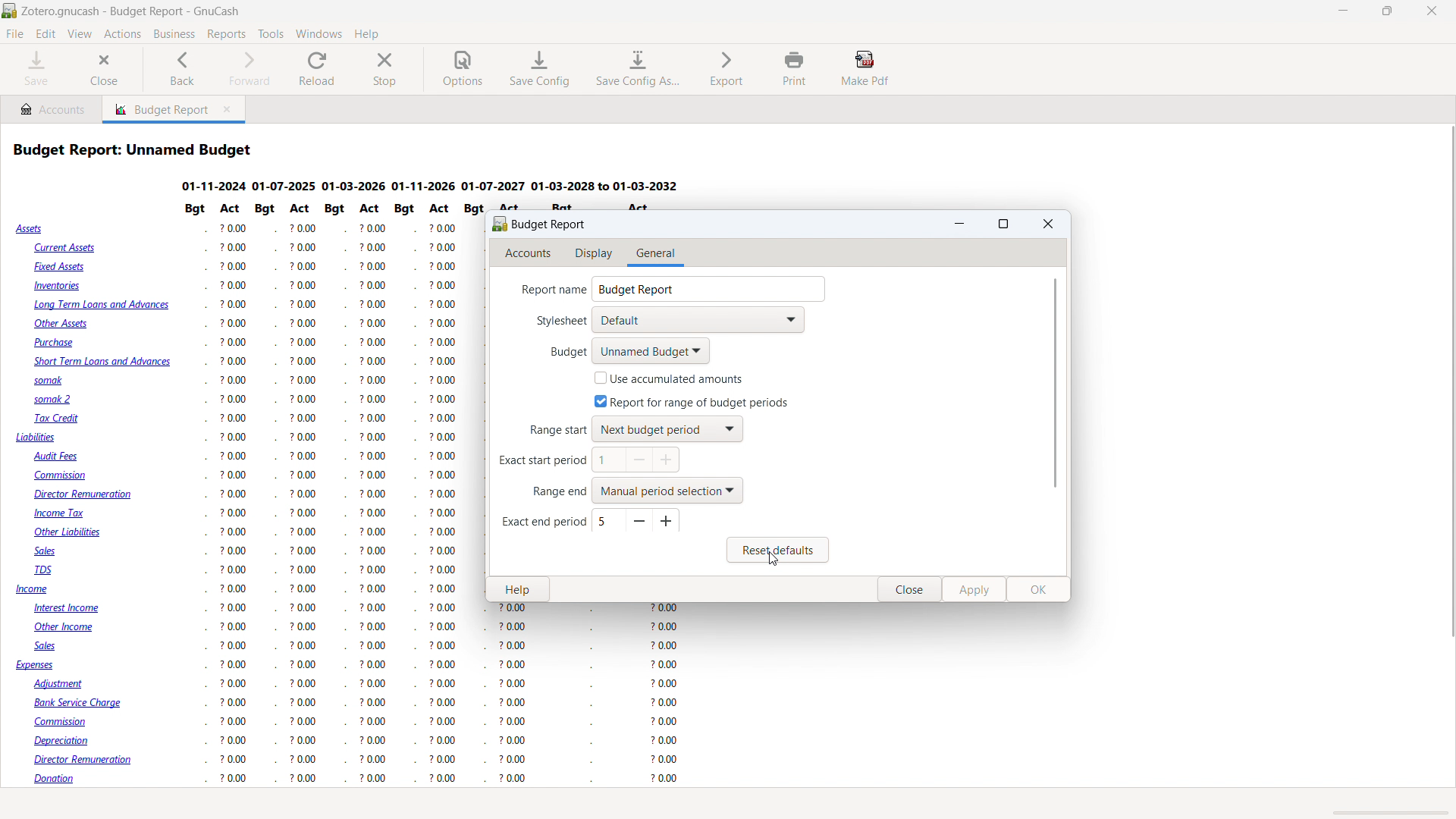 The width and height of the screenshot is (1456, 819). Describe the element at coordinates (540, 69) in the screenshot. I see `save configuration` at that location.